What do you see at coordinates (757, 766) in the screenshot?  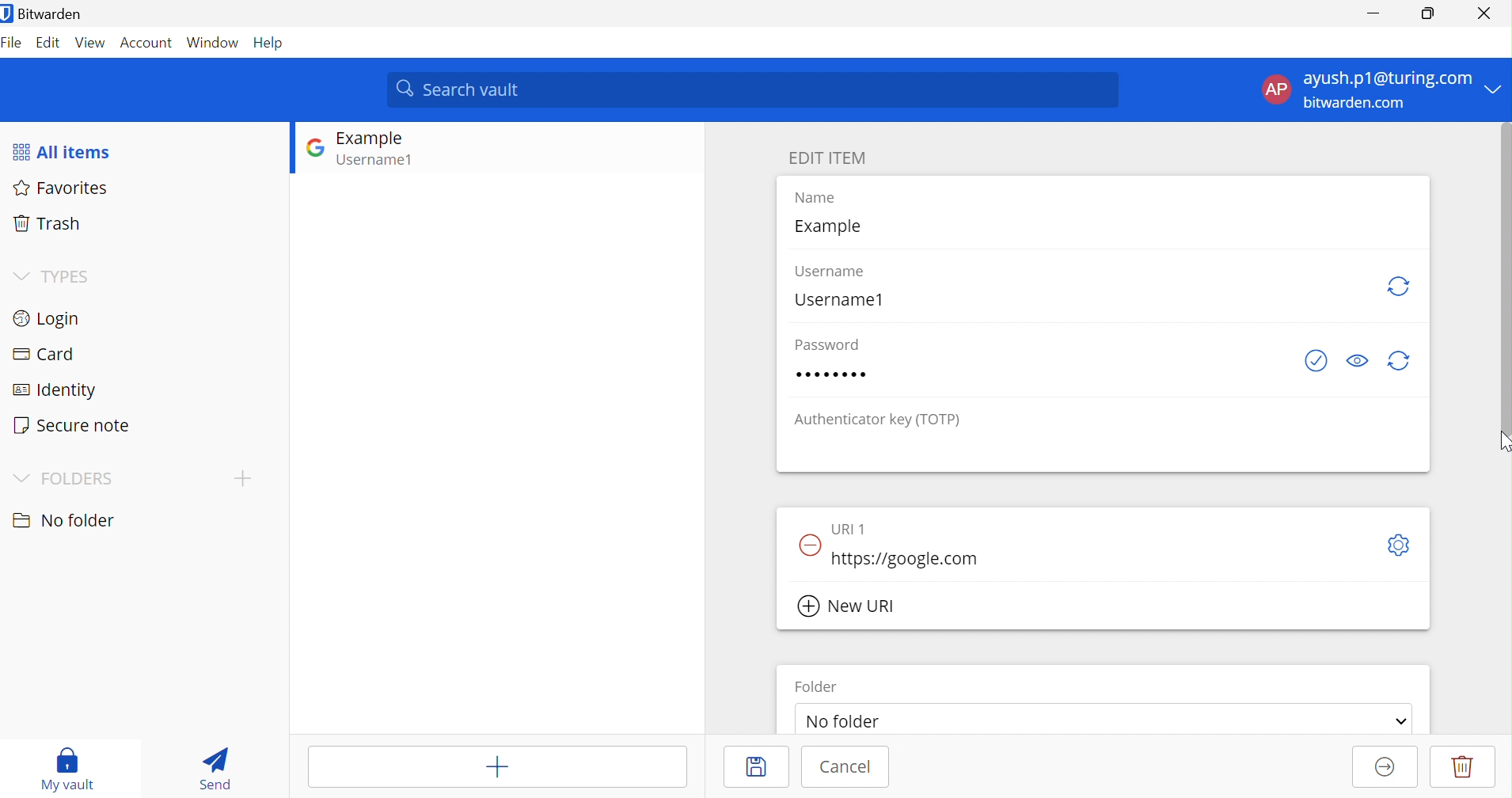 I see `Save` at bounding box center [757, 766].